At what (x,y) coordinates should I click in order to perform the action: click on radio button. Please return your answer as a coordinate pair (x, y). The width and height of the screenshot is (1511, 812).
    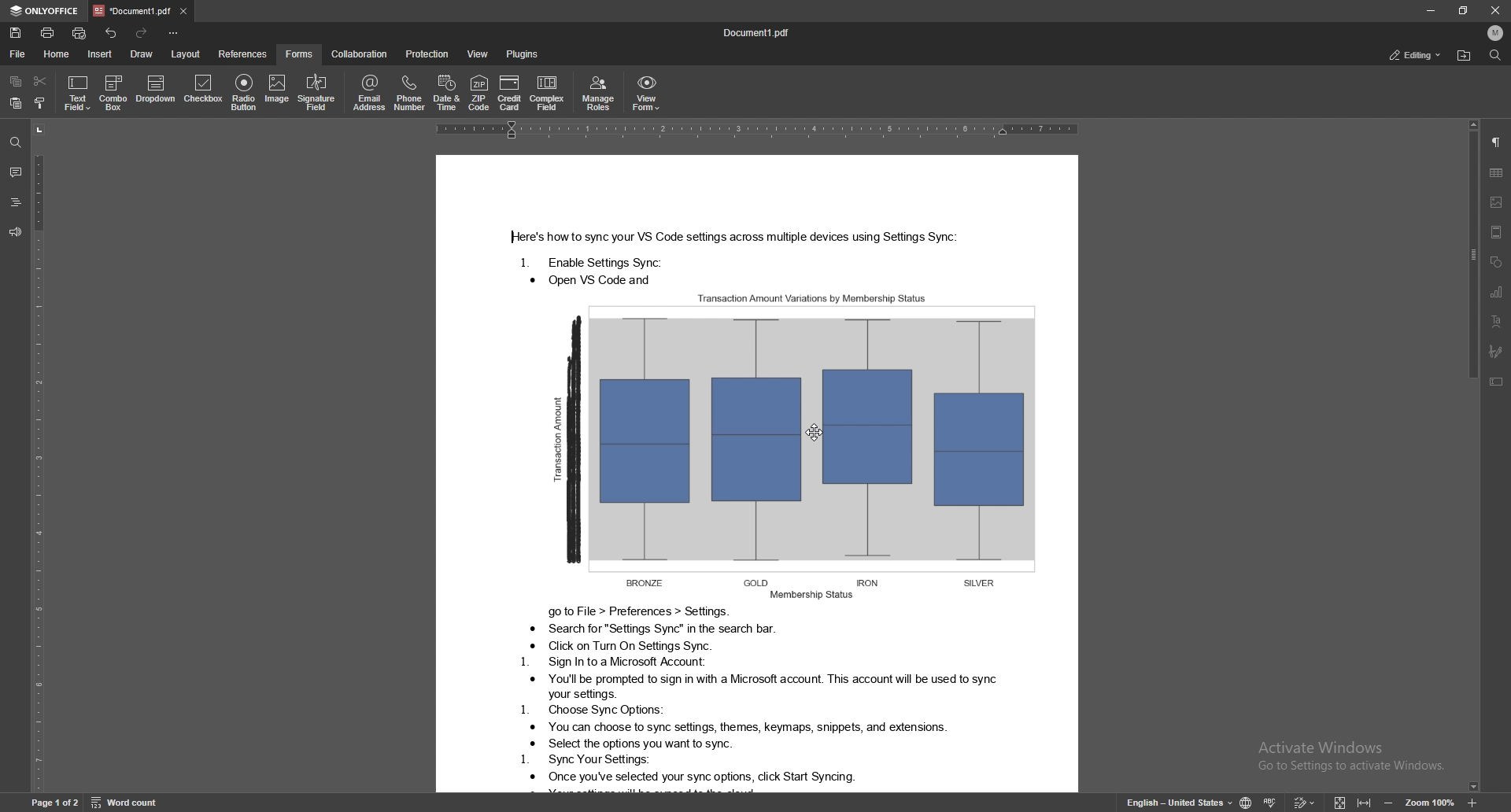
    Looking at the image, I should click on (244, 91).